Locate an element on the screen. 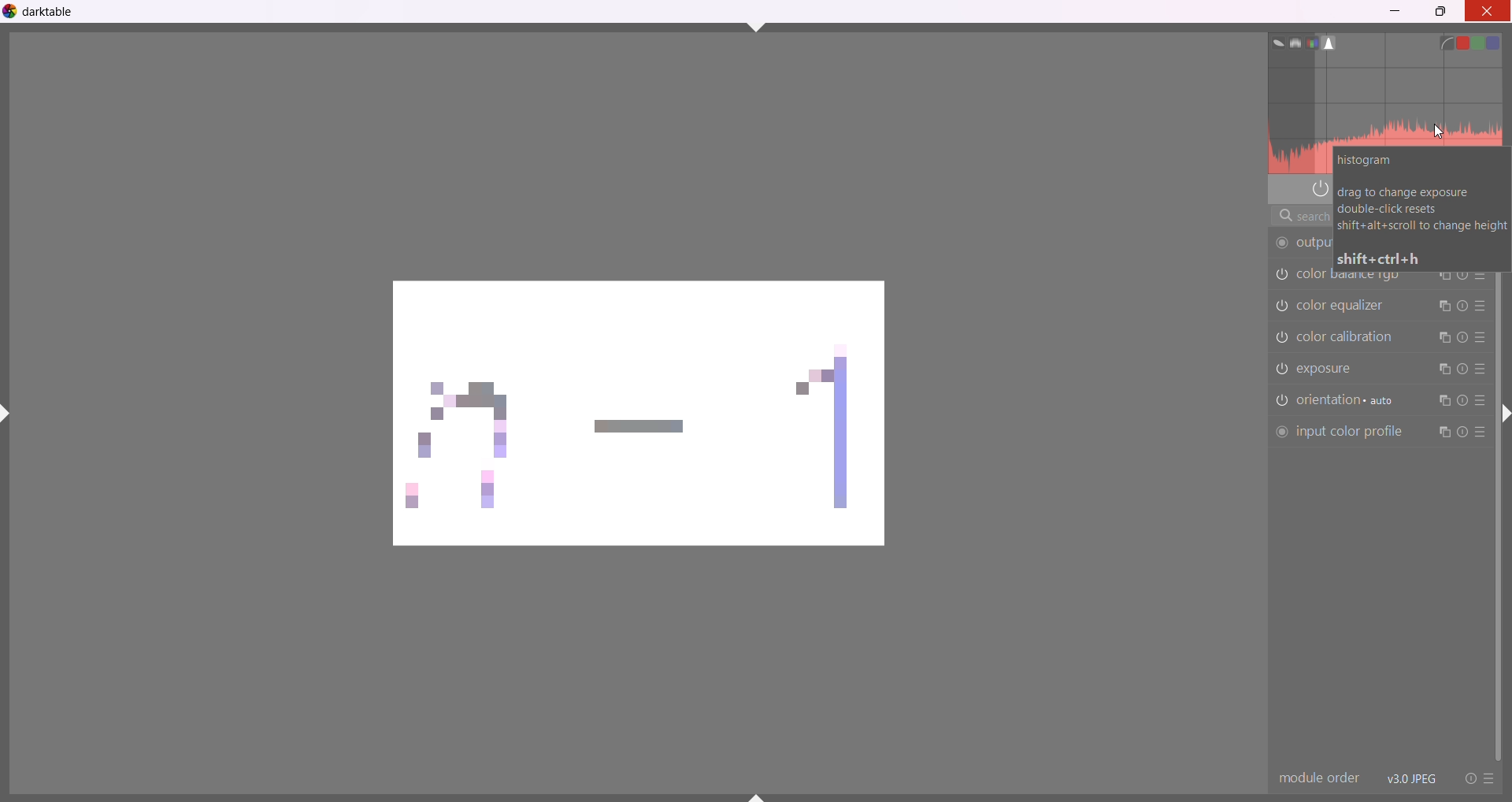  reset parameters is located at coordinates (1463, 339).